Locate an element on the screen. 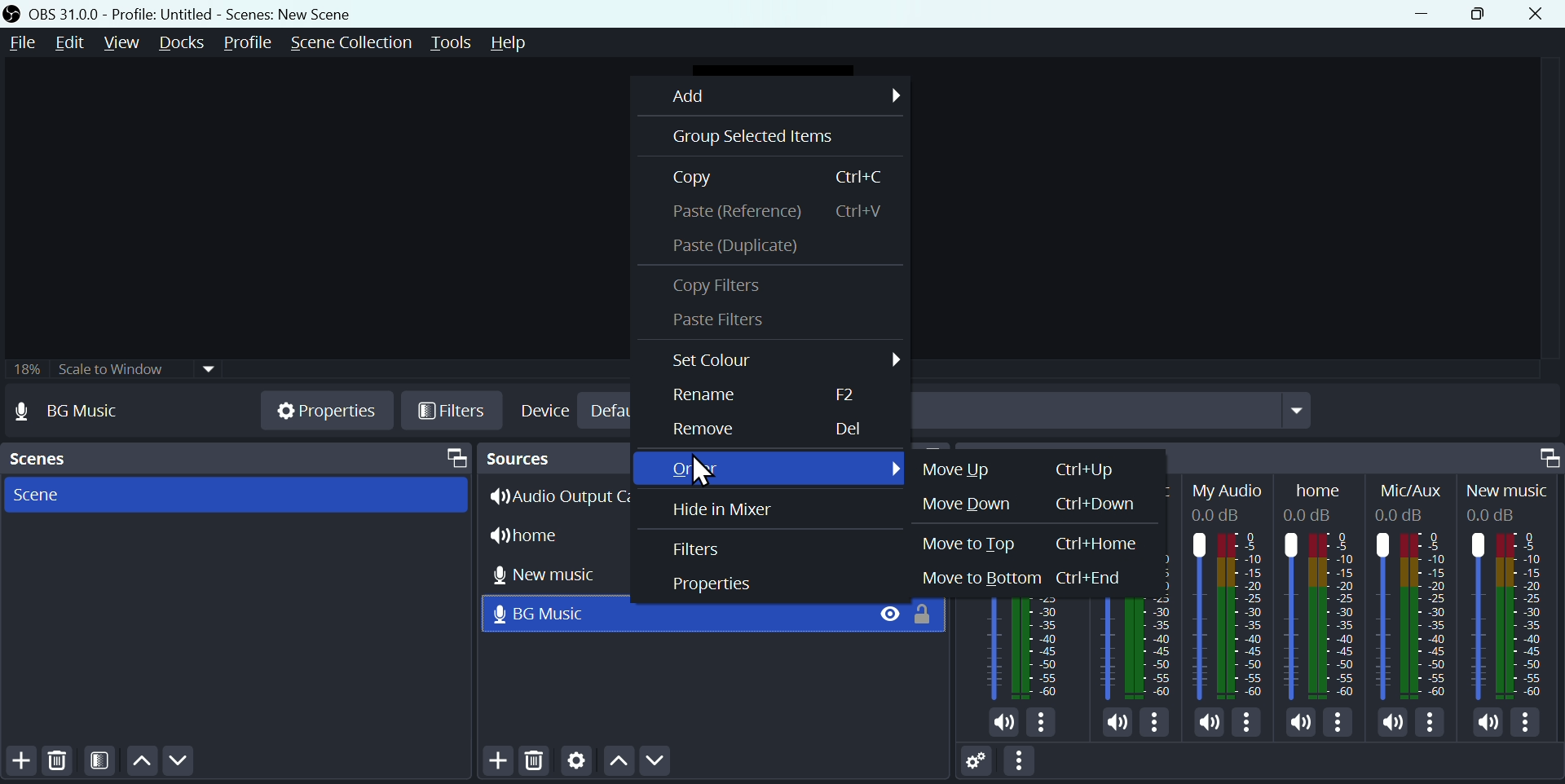  Order is located at coordinates (778, 467).